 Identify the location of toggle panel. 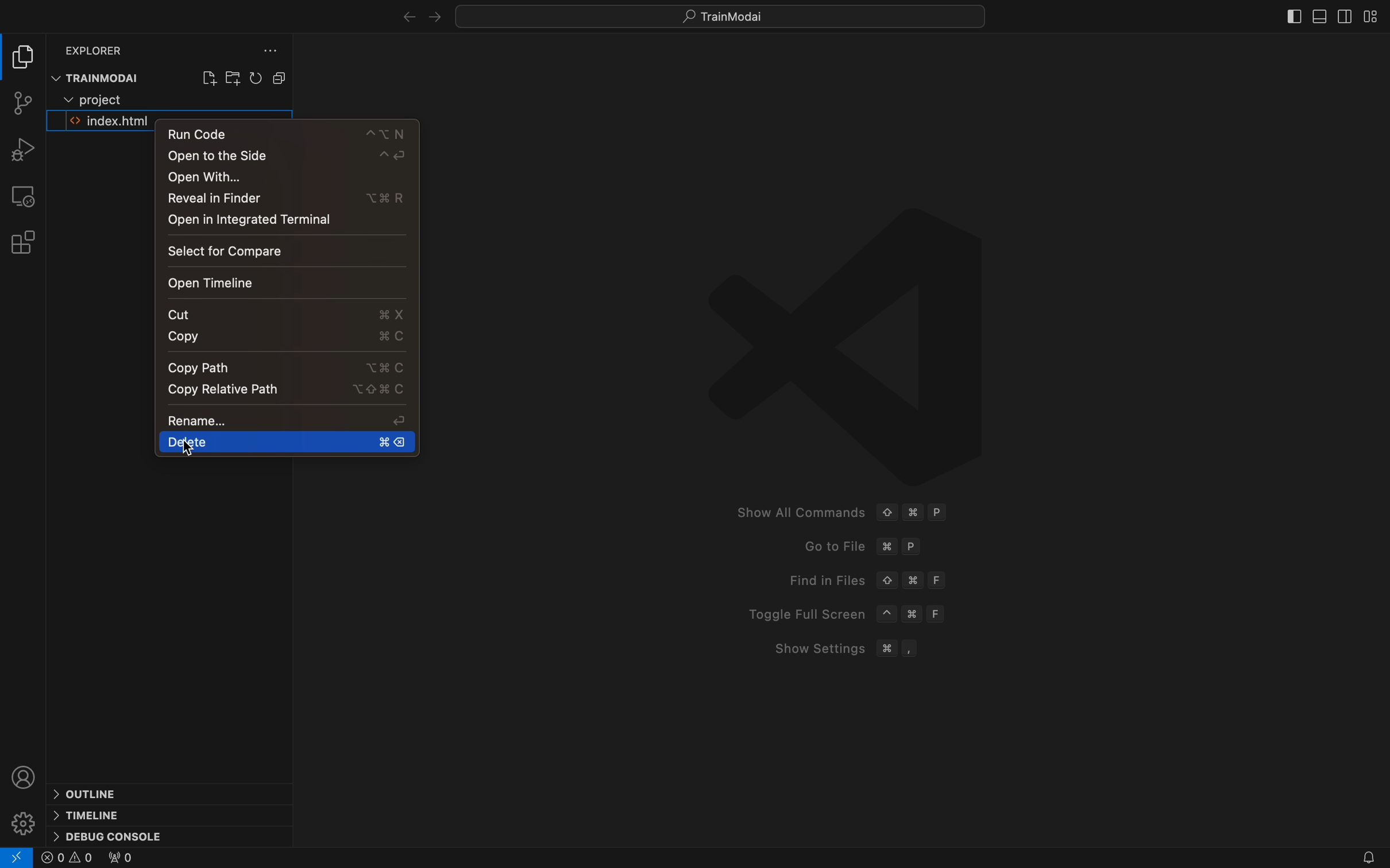
(1319, 17).